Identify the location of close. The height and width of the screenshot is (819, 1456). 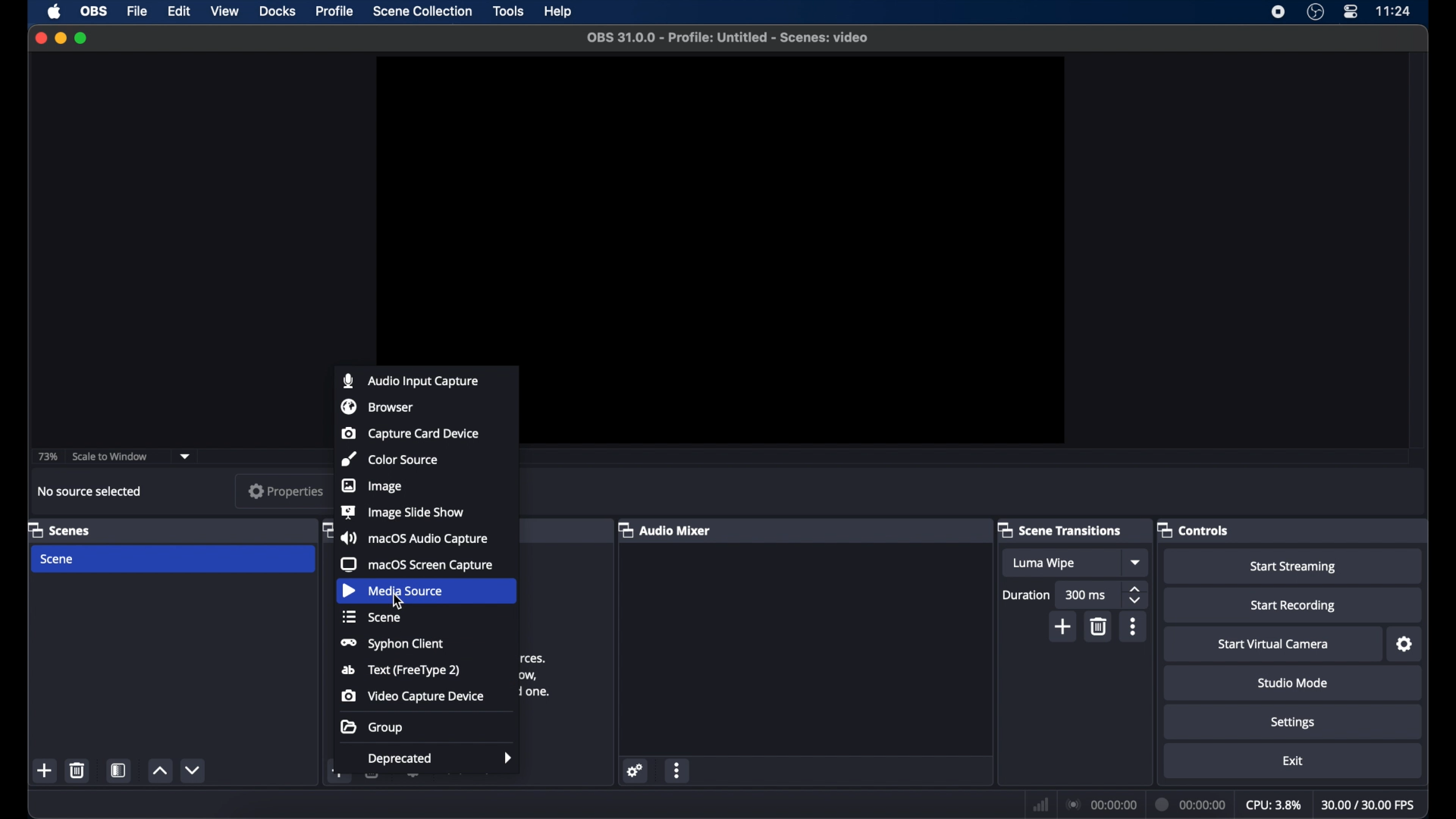
(40, 38).